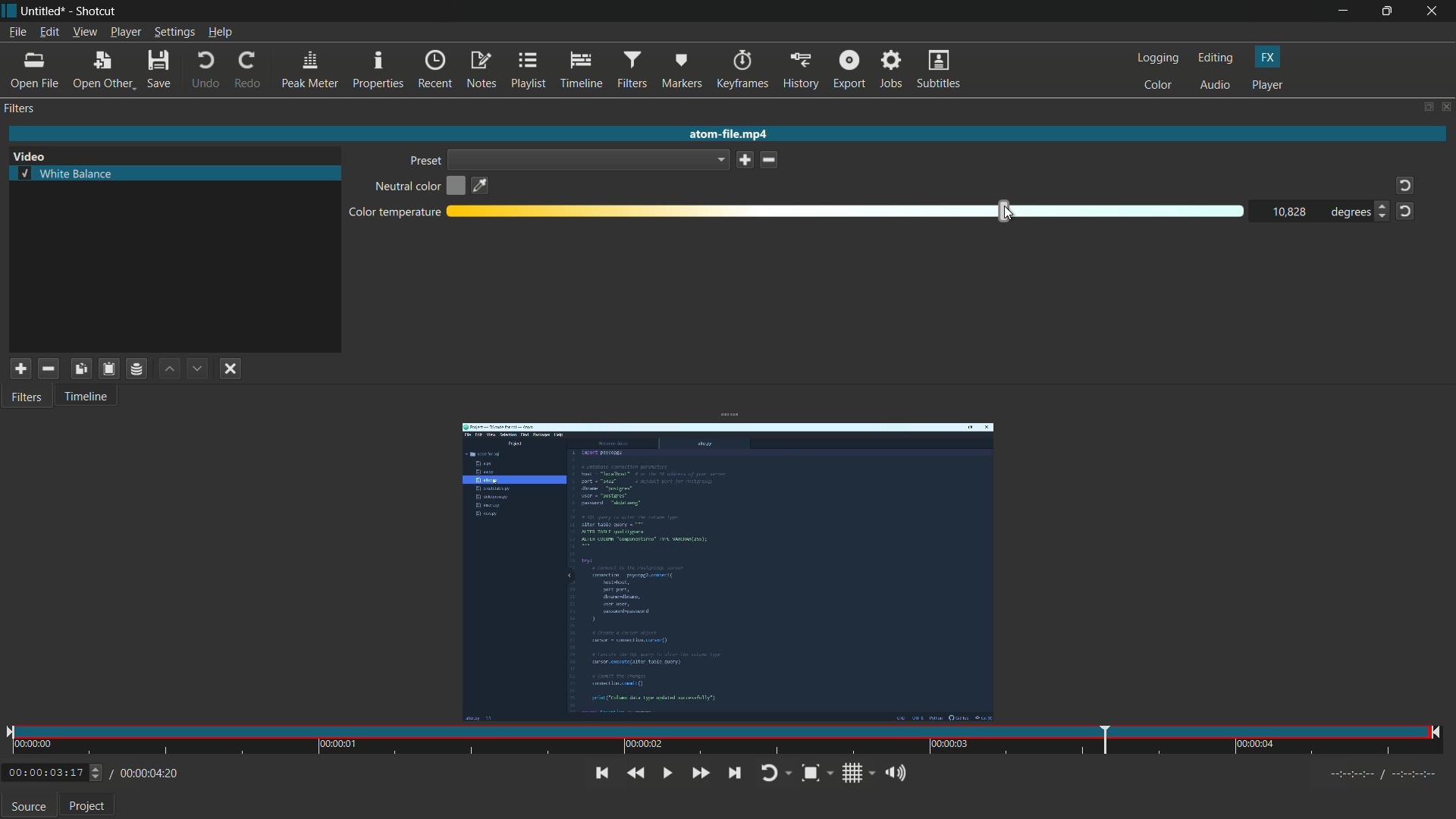  Describe the element at coordinates (1373, 773) in the screenshot. I see `Timecodes` at that location.